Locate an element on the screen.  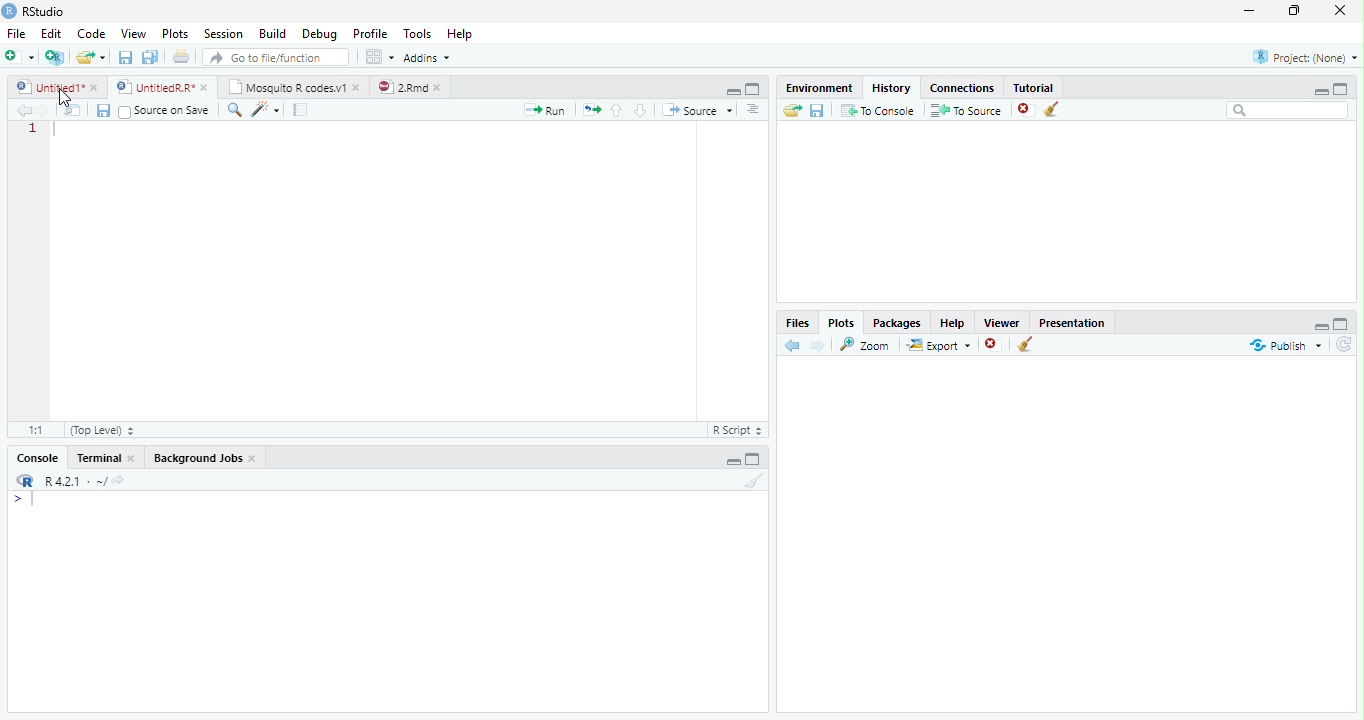
Terminal is located at coordinates (107, 457).